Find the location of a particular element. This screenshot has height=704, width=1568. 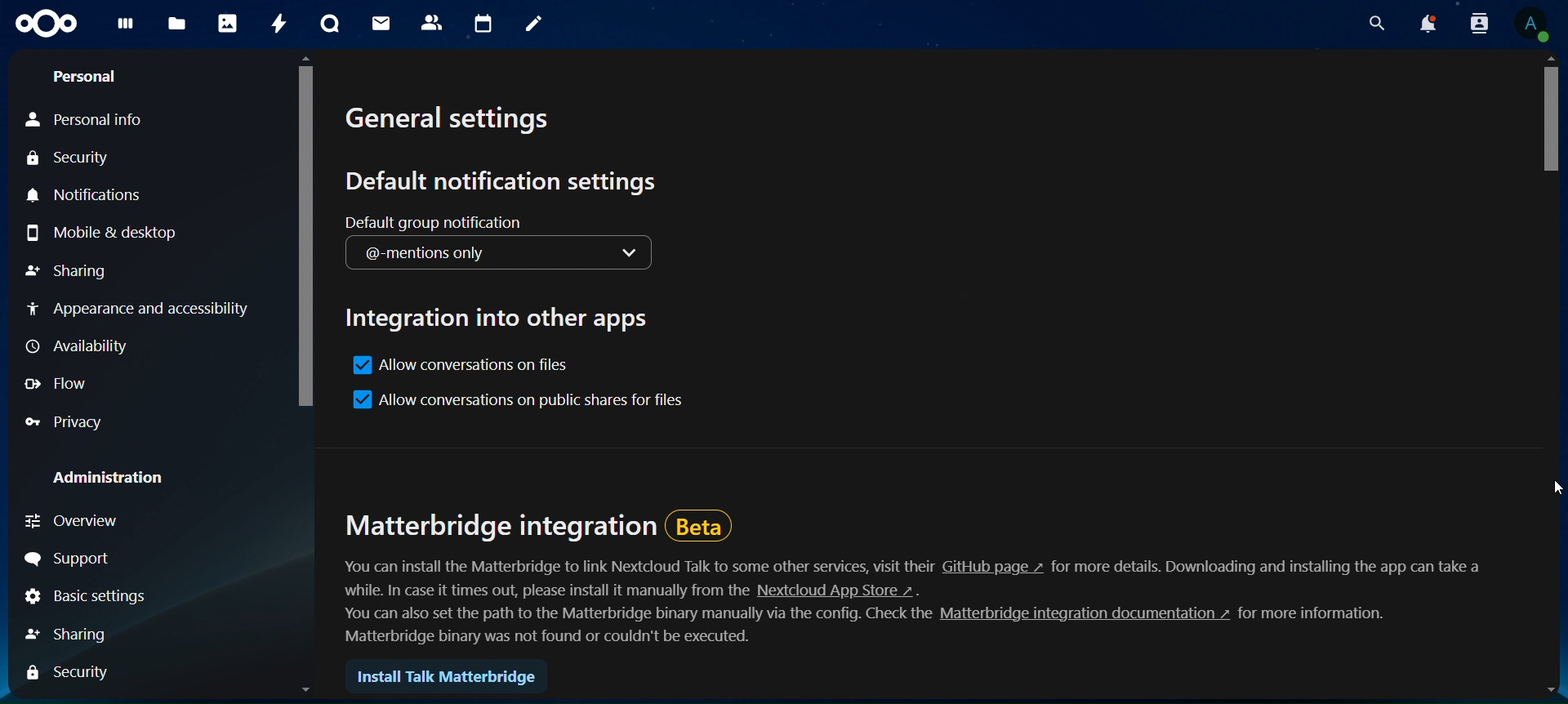

dropdown is located at coordinates (637, 255).